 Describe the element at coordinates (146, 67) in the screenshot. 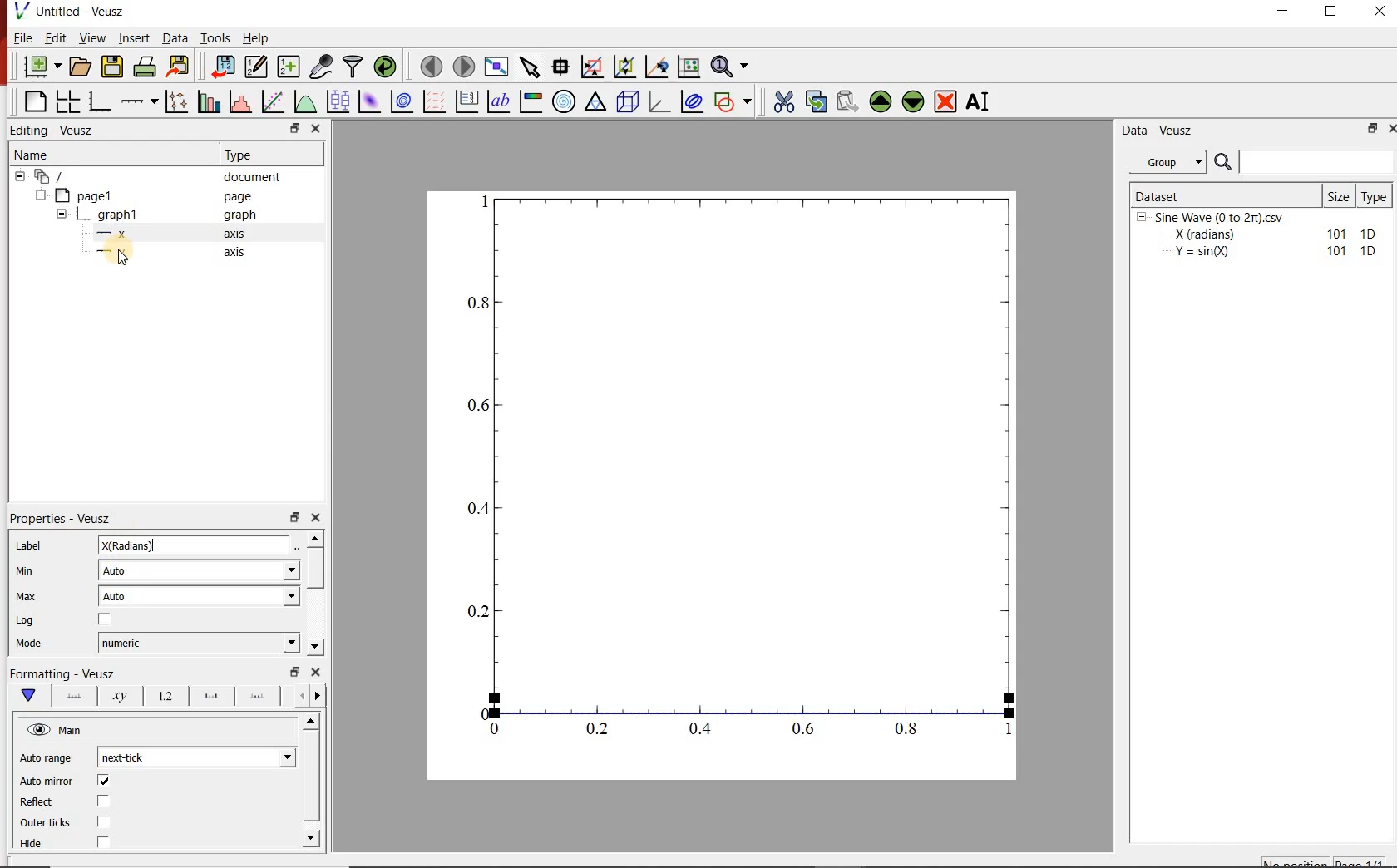

I see `print` at that location.